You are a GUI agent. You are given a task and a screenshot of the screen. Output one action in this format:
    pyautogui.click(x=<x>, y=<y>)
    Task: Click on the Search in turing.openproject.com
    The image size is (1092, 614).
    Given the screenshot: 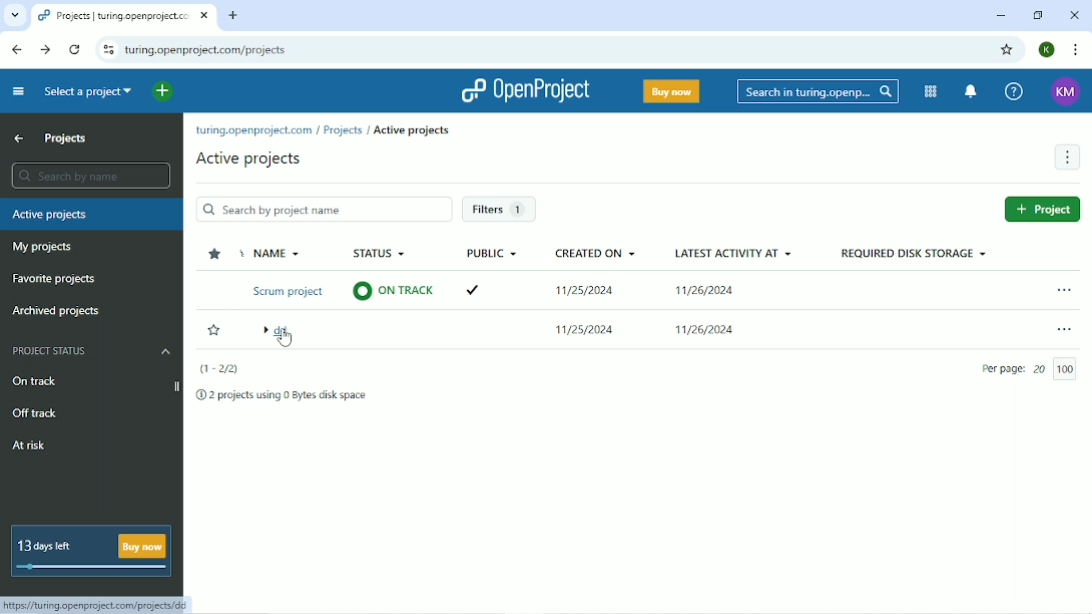 What is the action you would take?
    pyautogui.click(x=818, y=91)
    